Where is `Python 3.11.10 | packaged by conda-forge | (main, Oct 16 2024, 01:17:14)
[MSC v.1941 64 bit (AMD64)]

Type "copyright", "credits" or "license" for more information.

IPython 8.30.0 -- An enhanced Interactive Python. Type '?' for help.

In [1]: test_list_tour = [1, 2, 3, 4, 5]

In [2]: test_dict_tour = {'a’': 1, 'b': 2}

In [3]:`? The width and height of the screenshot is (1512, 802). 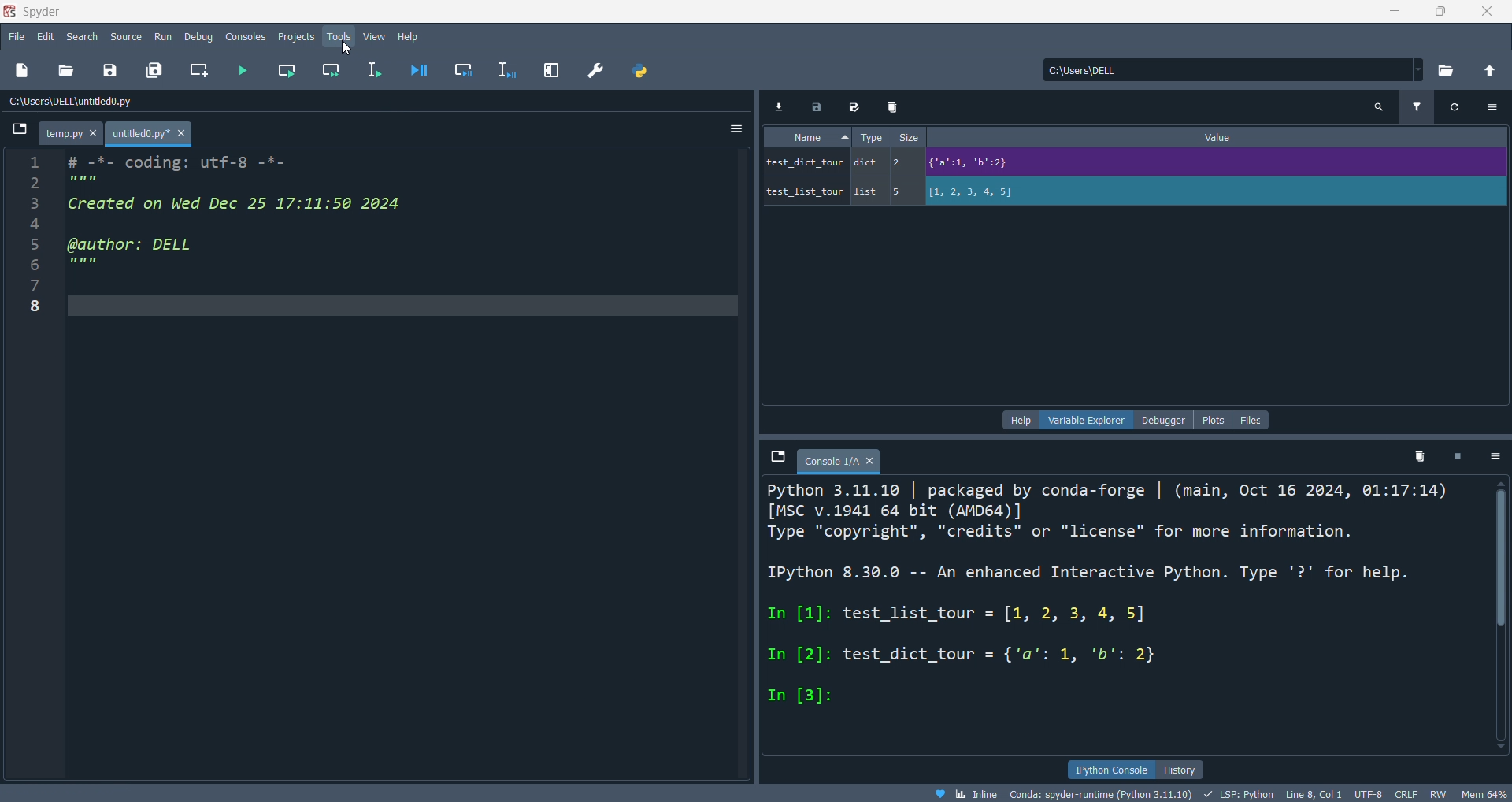
Python 3.11.10 | packaged by conda-forge | (main, Oct 16 2024, 01:17:14)
[MSC v.1941 64 bit (AMD64)]

Type "copyright", "credits" or "license" for more information.

IPython 8.30.0 -- An enhanced Interactive Python. Type '?' for help.

In [1]: test_list_tour = [1, 2, 3, 4, 5]

In [2]: test_dict_tour = {'a’': 1, 'b': 2}

In [3]: is located at coordinates (1108, 605).